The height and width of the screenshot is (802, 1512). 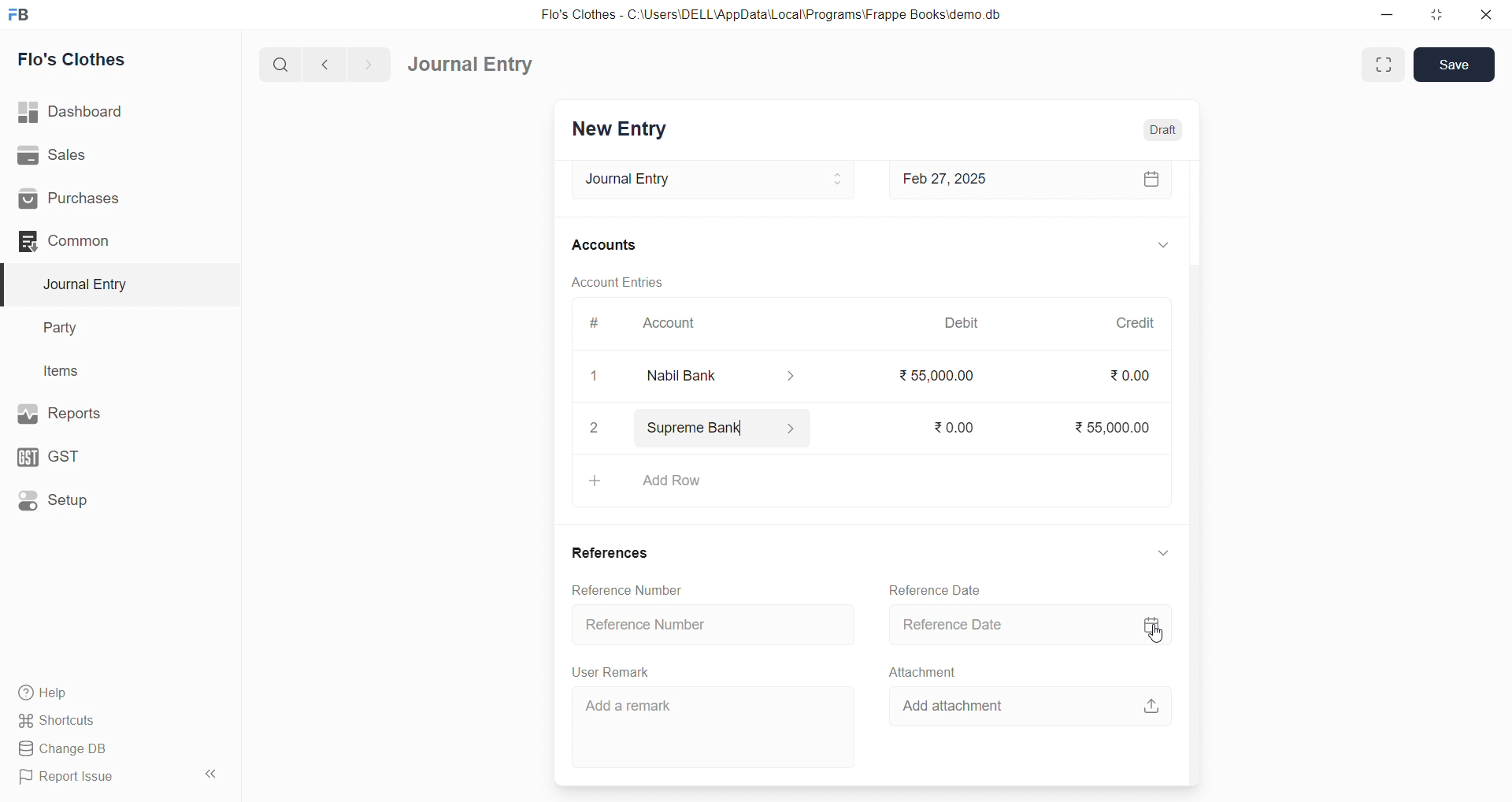 I want to click on collapse sidebar, so click(x=213, y=774).